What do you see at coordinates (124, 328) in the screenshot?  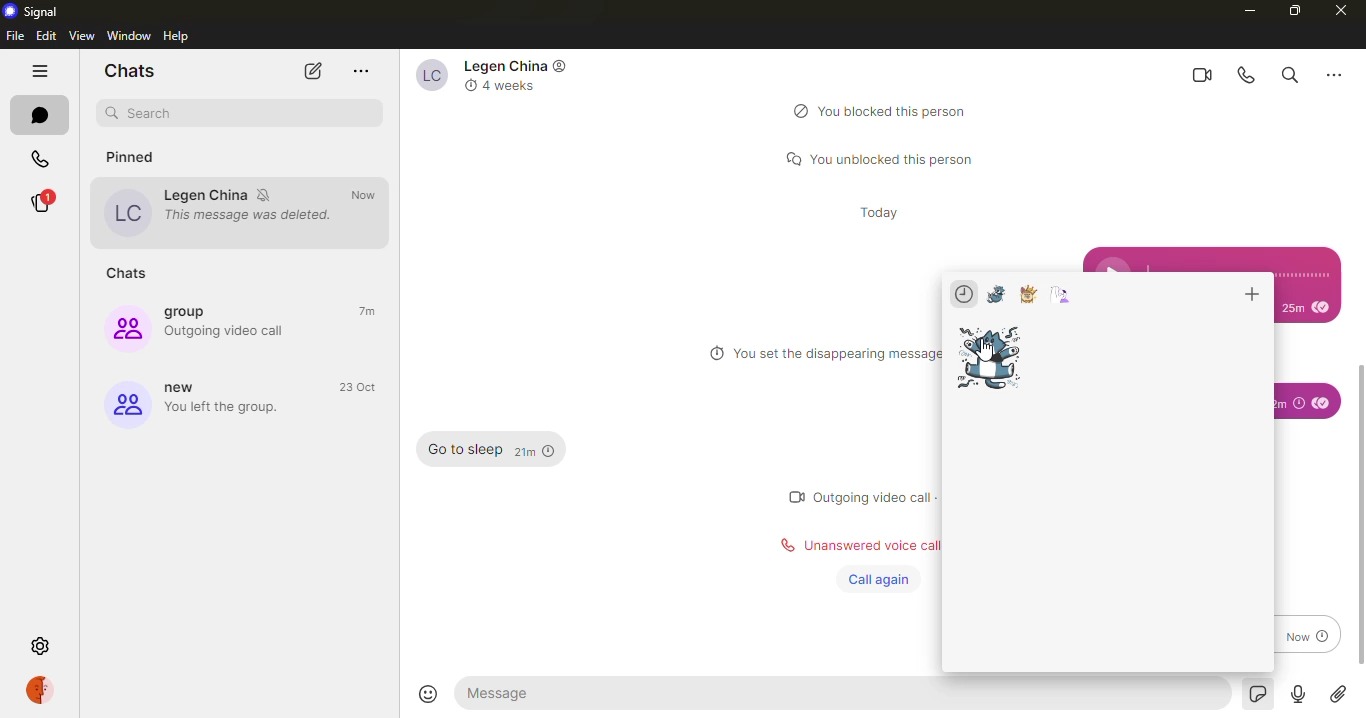 I see `group profile` at bounding box center [124, 328].